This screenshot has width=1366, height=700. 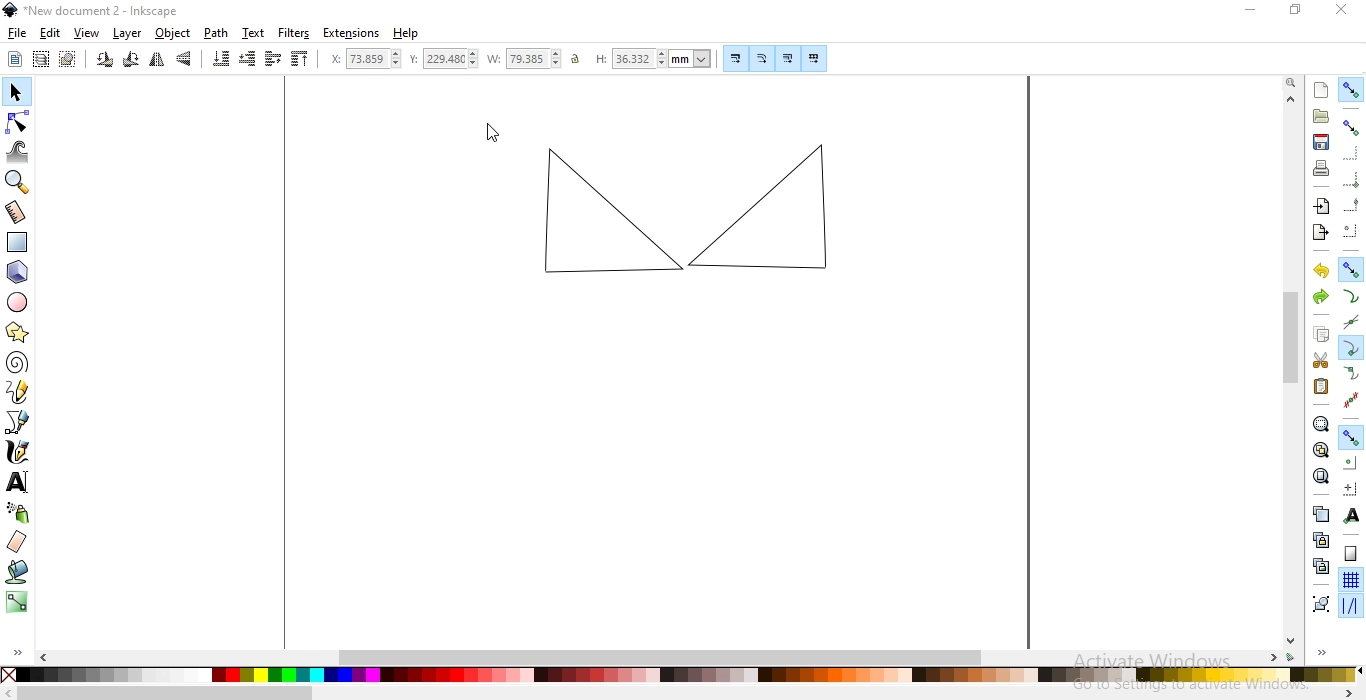 I want to click on spray objects by sculpting or painting, so click(x=18, y=513).